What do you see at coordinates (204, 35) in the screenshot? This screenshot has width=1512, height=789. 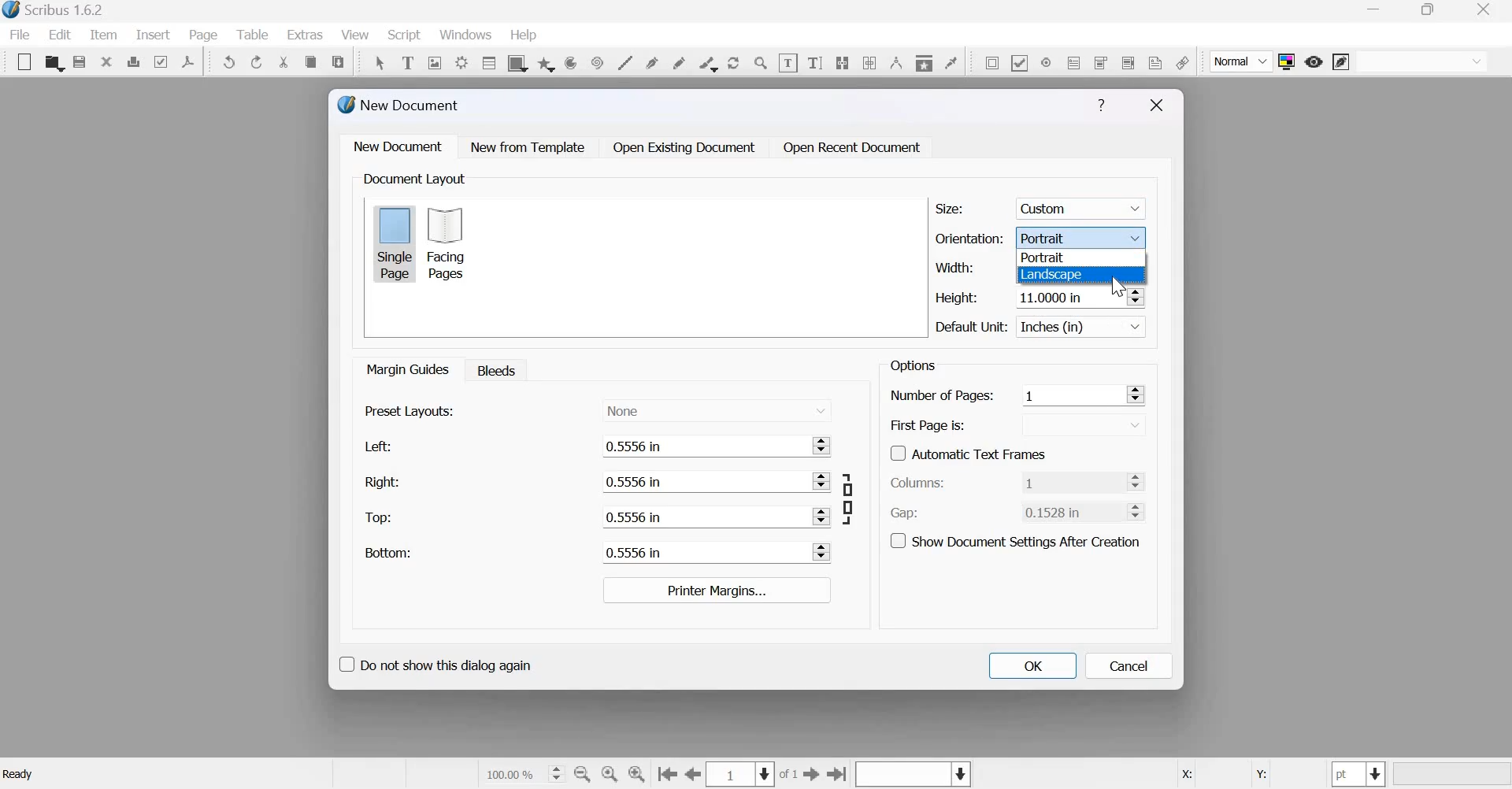 I see `page` at bounding box center [204, 35].